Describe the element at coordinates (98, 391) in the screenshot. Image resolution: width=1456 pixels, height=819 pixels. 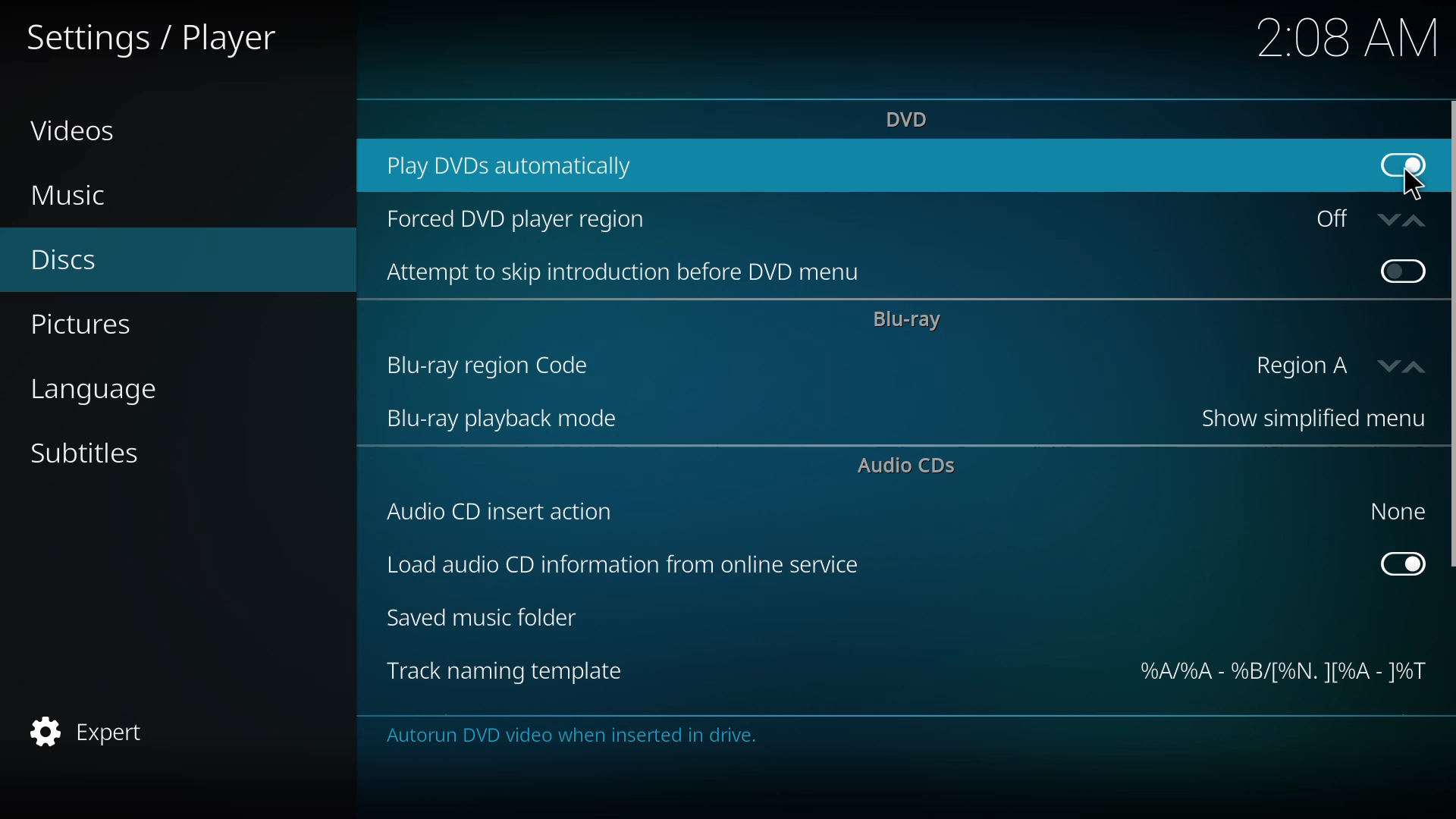
I see `language` at that location.